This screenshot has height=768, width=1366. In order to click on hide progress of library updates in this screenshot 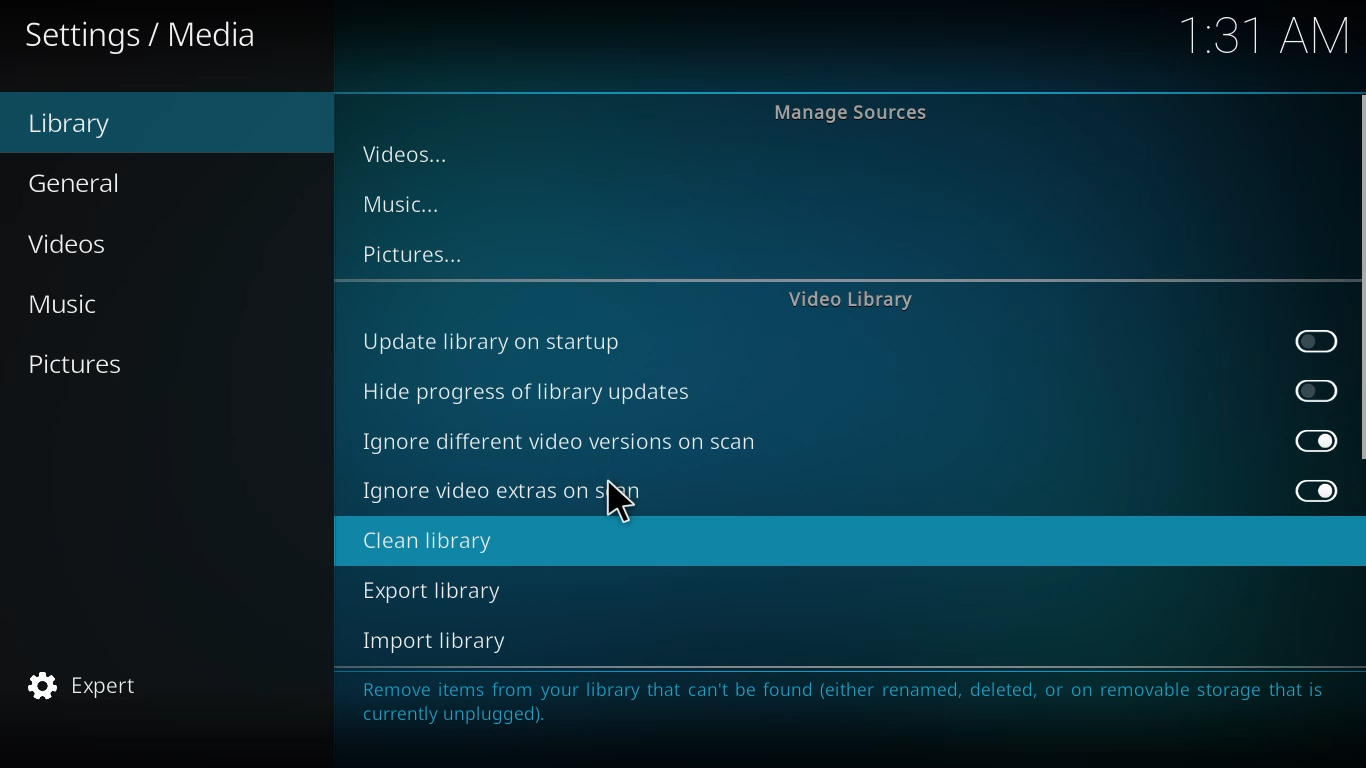, I will do `click(533, 392)`.